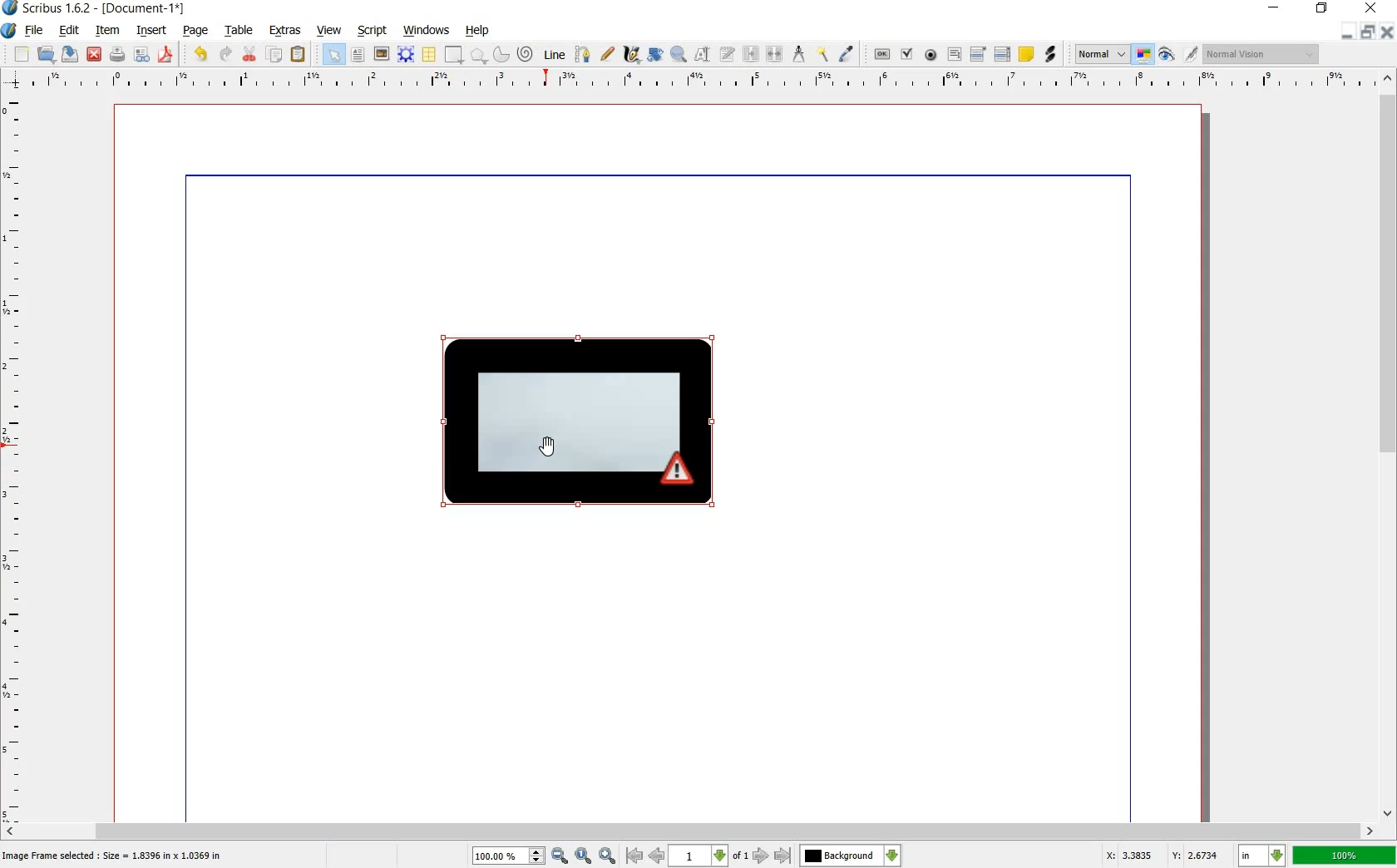 The image size is (1397, 868). What do you see at coordinates (403, 53) in the screenshot?
I see `render frame` at bounding box center [403, 53].